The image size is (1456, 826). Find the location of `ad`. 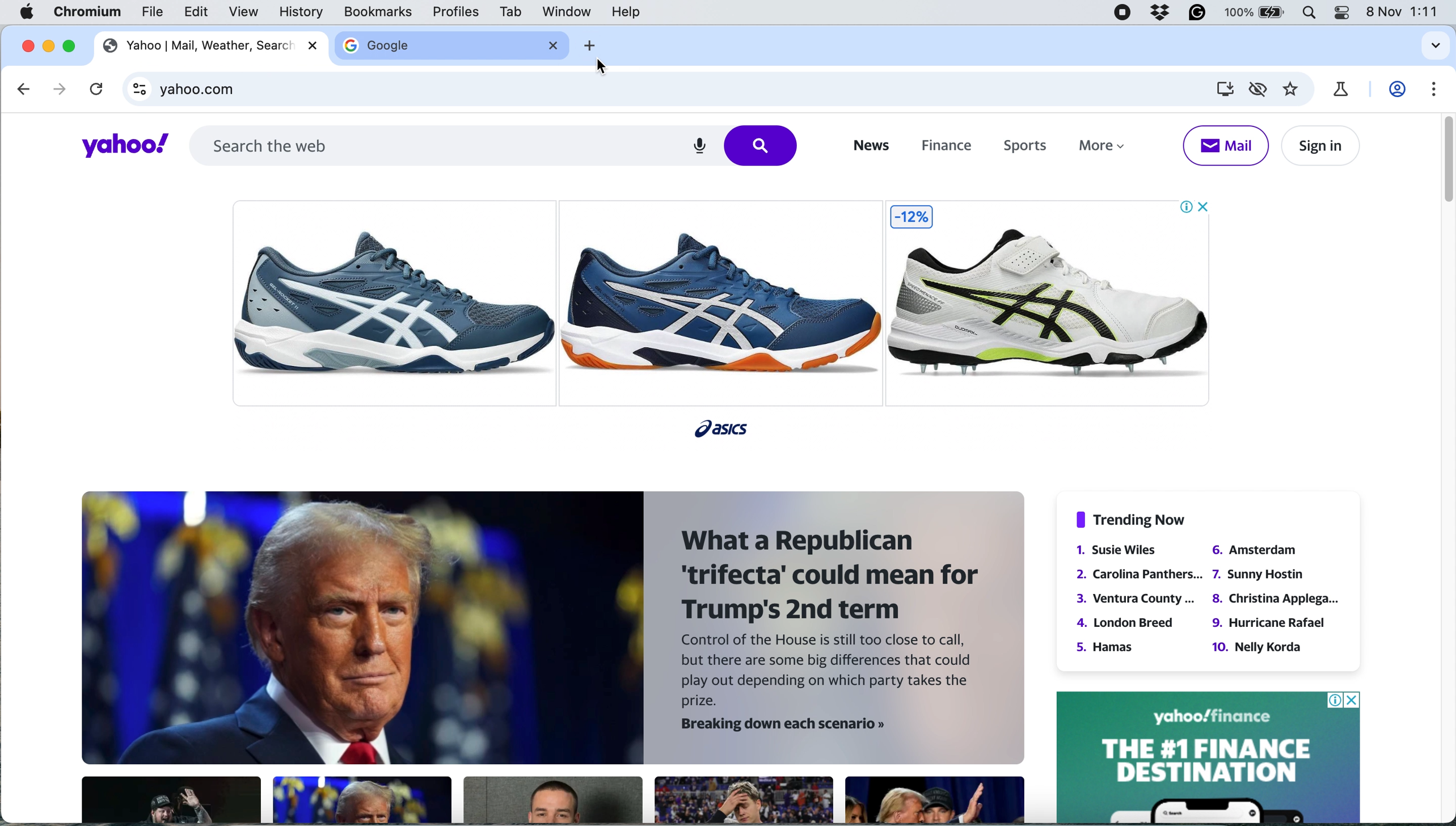

ad is located at coordinates (729, 311).